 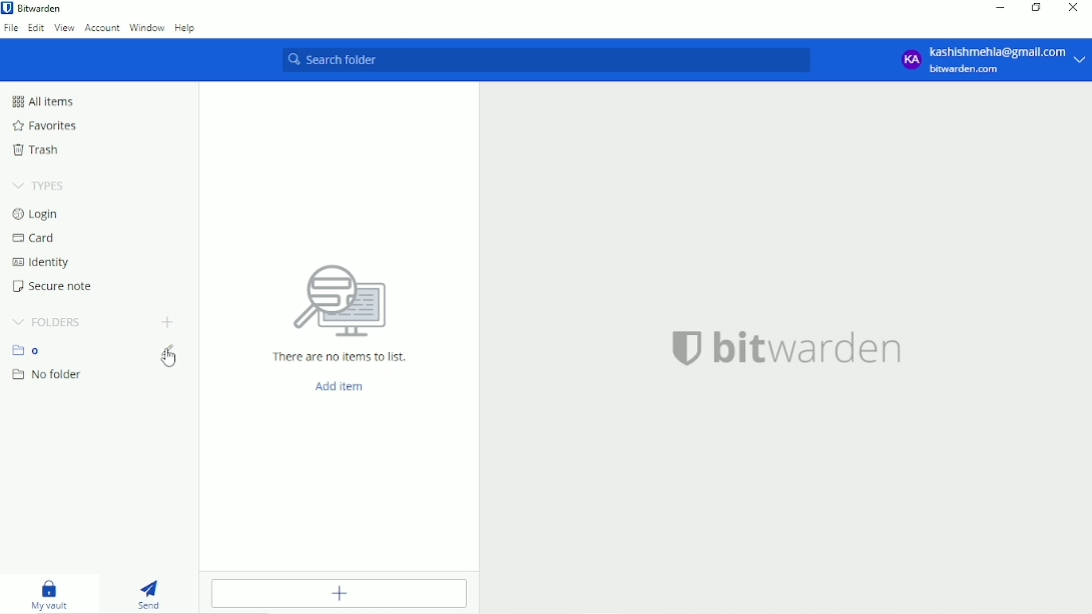 What do you see at coordinates (43, 126) in the screenshot?
I see `Favorites` at bounding box center [43, 126].